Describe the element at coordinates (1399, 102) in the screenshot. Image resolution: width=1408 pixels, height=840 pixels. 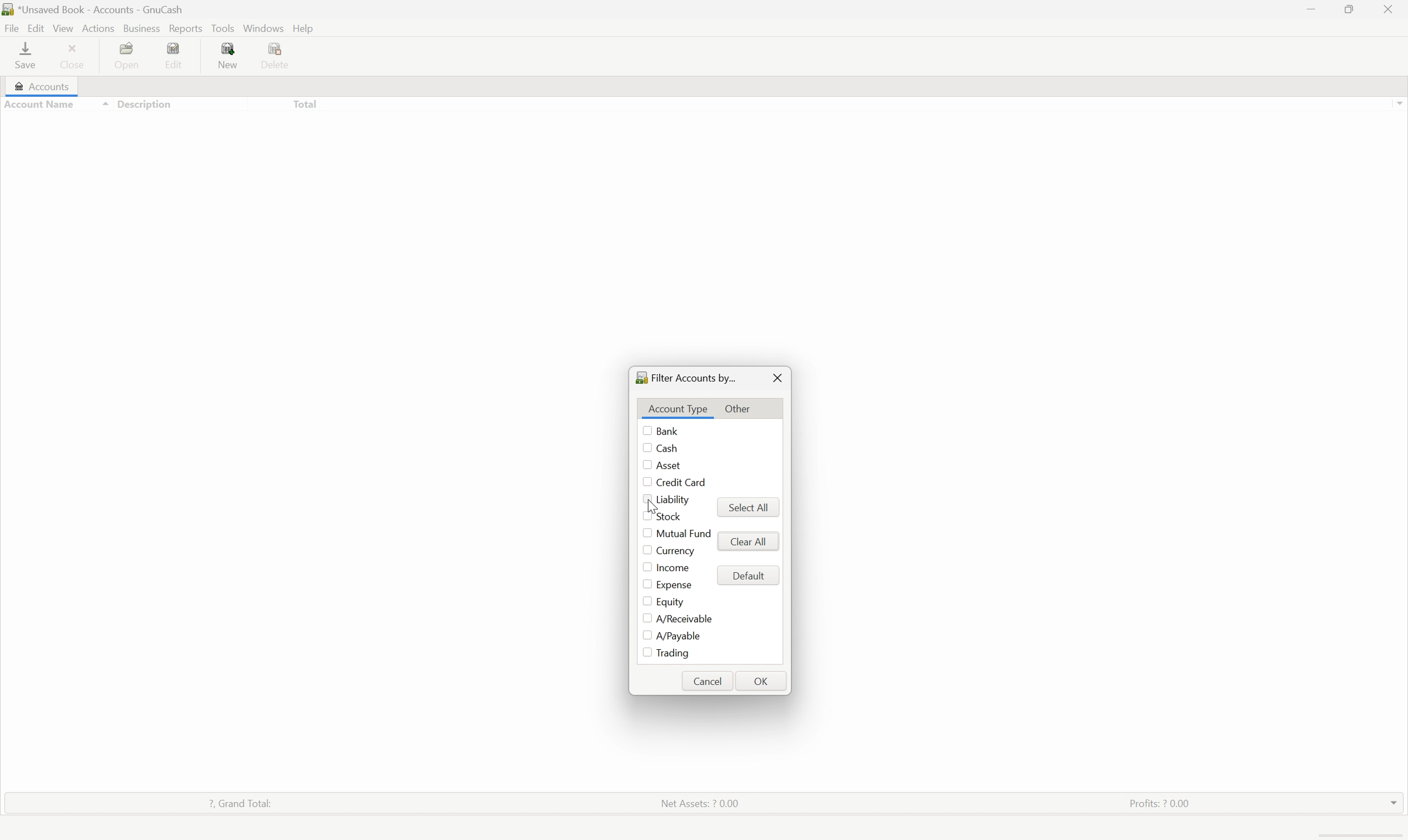
I see `Scroll up` at that location.